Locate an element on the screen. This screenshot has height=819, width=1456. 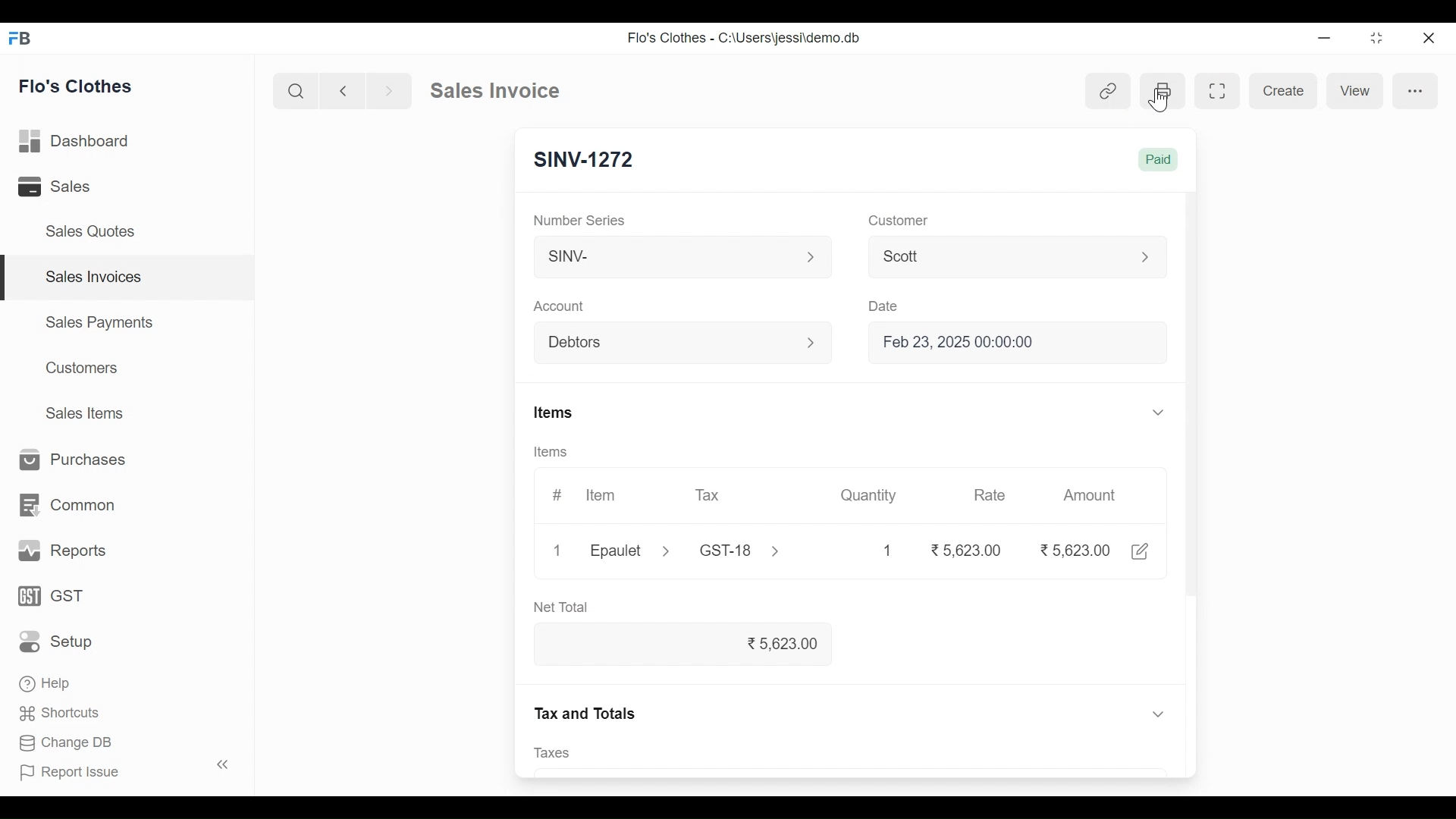
Report Issue is located at coordinates (120, 771).